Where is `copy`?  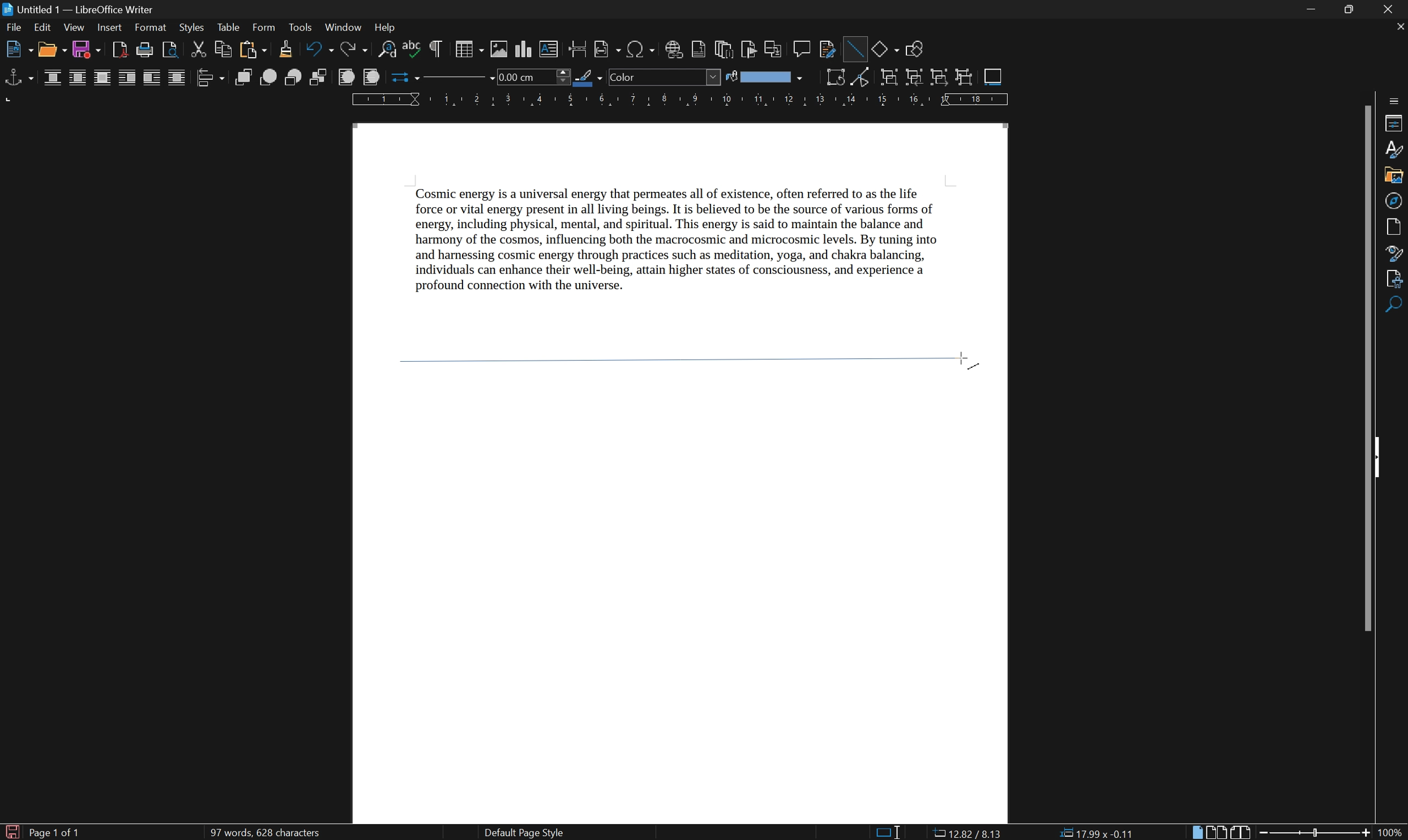
copy is located at coordinates (222, 49).